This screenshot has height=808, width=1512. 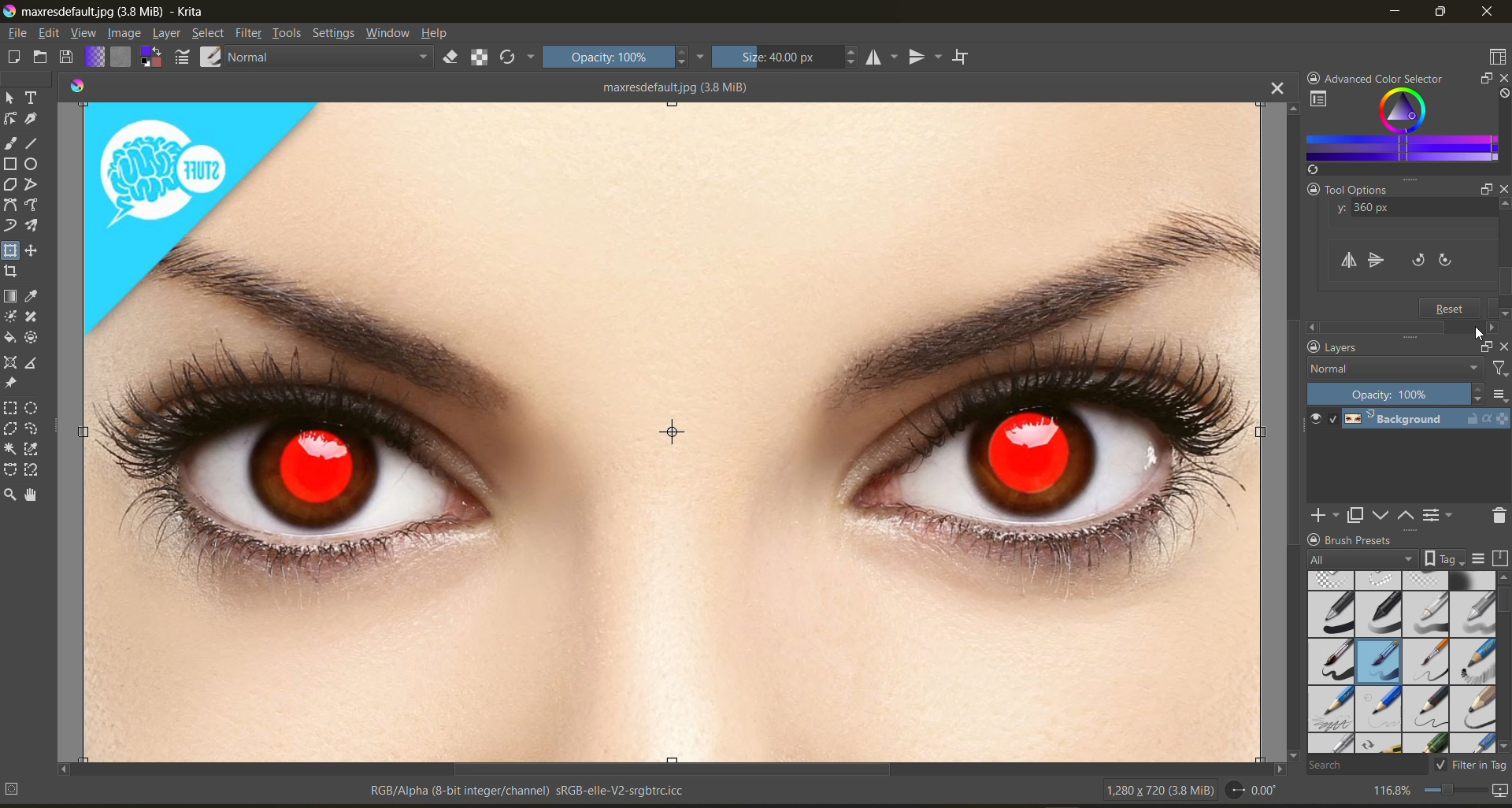 I want to click on choose brush preset, so click(x=213, y=55).